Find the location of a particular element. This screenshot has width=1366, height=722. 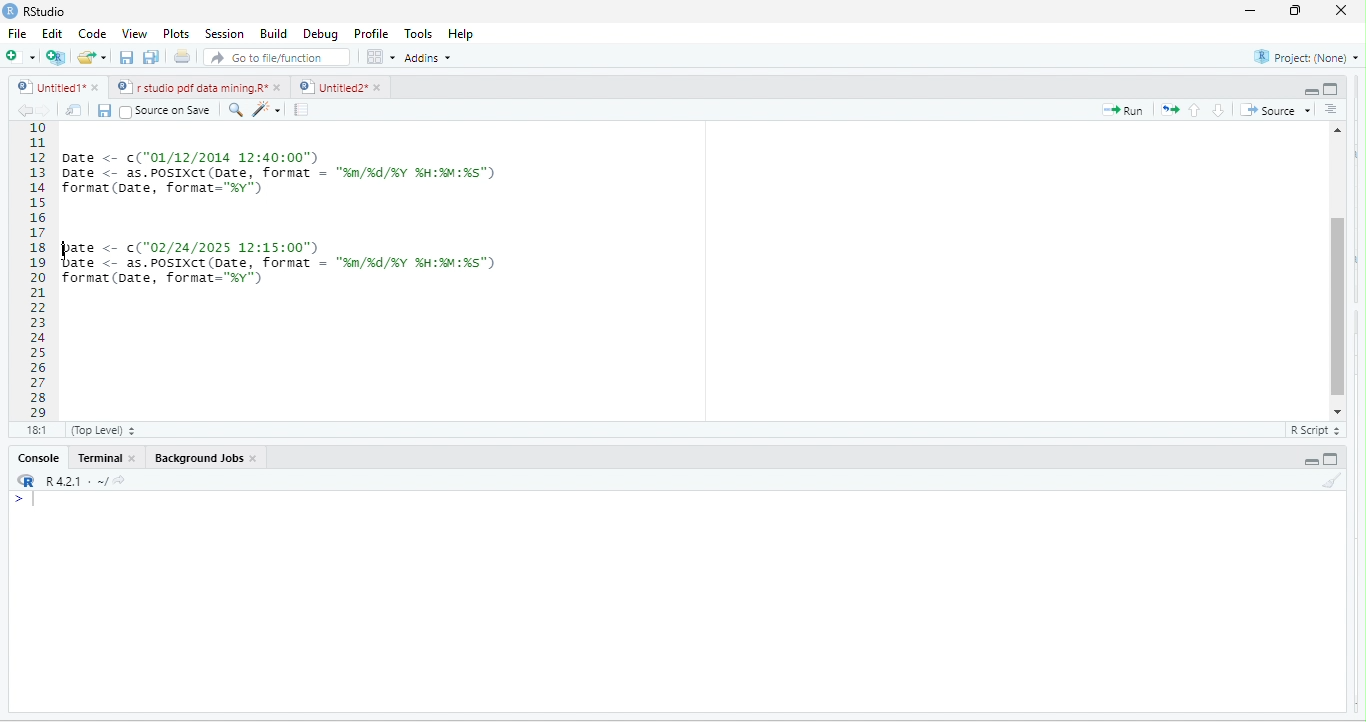

find/ replace is located at coordinates (232, 110).